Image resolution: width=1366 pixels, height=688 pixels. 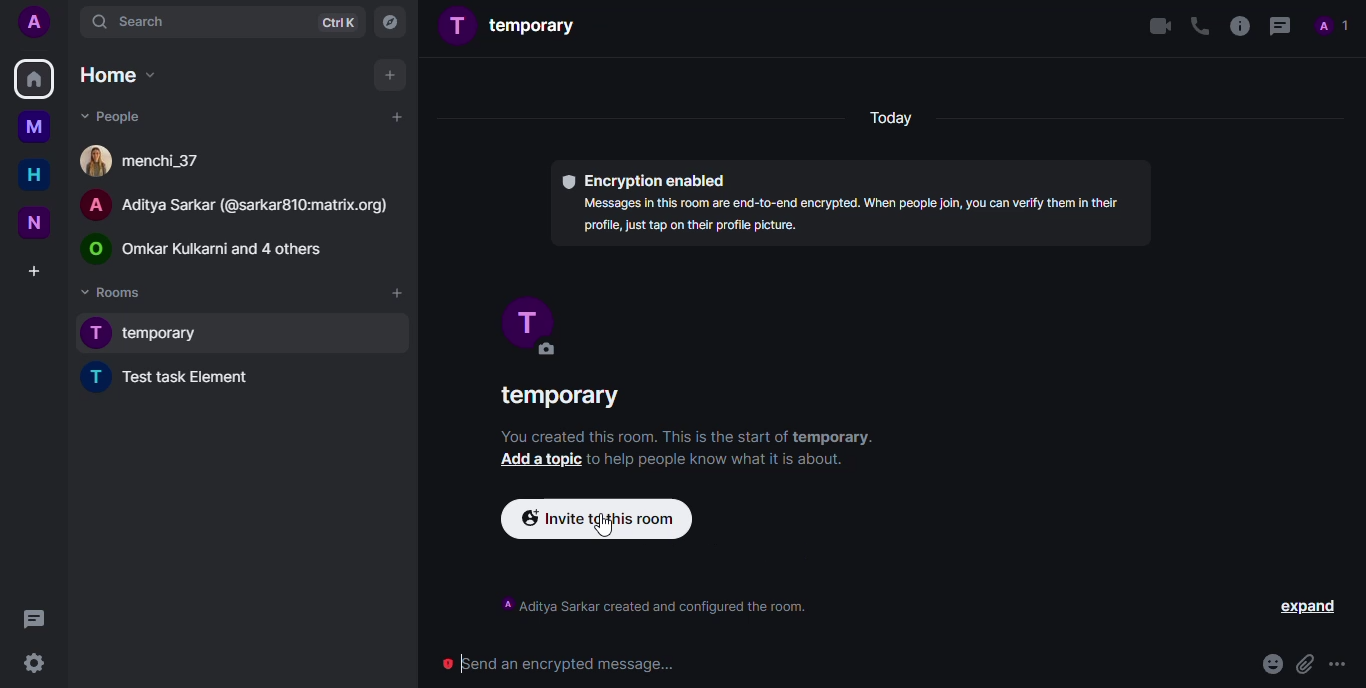 What do you see at coordinates (1150, 27) in the screenshot?
I see `video call` at bounding box center [1150, 27].